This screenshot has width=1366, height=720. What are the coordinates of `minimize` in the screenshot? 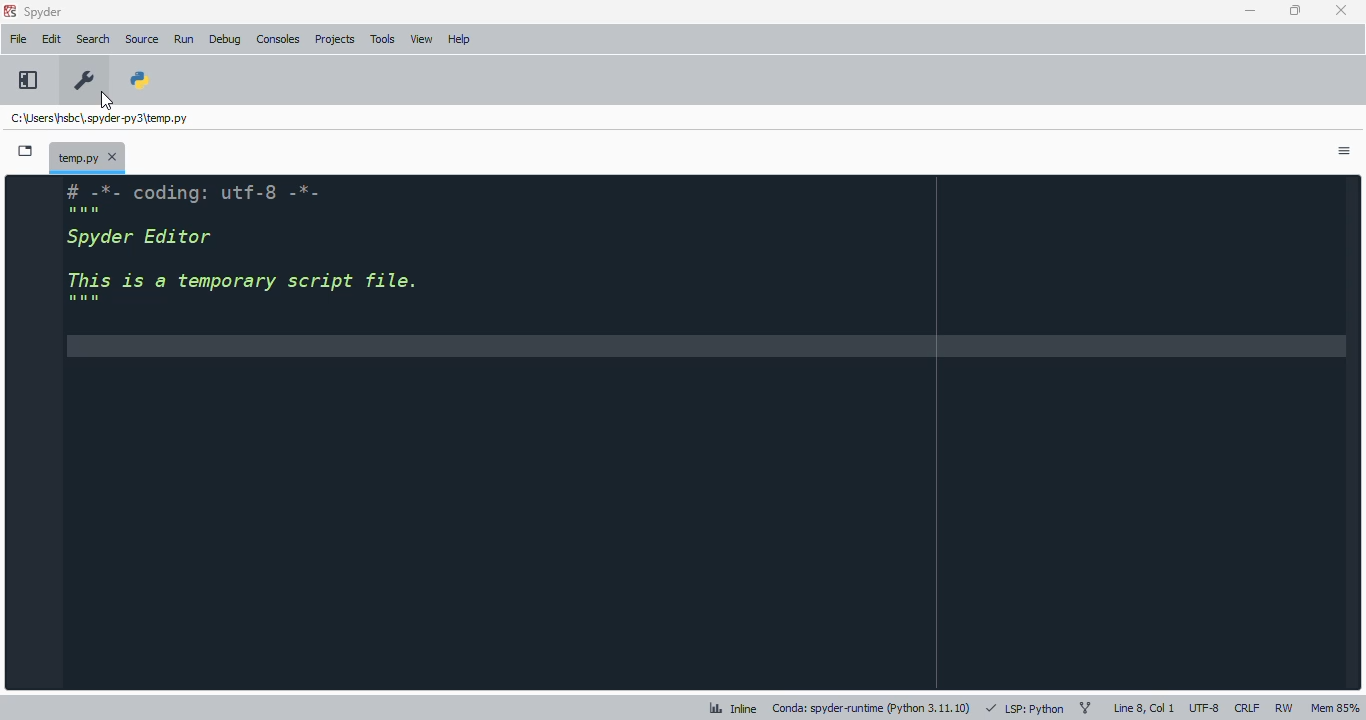 It's located at (1252, 11).